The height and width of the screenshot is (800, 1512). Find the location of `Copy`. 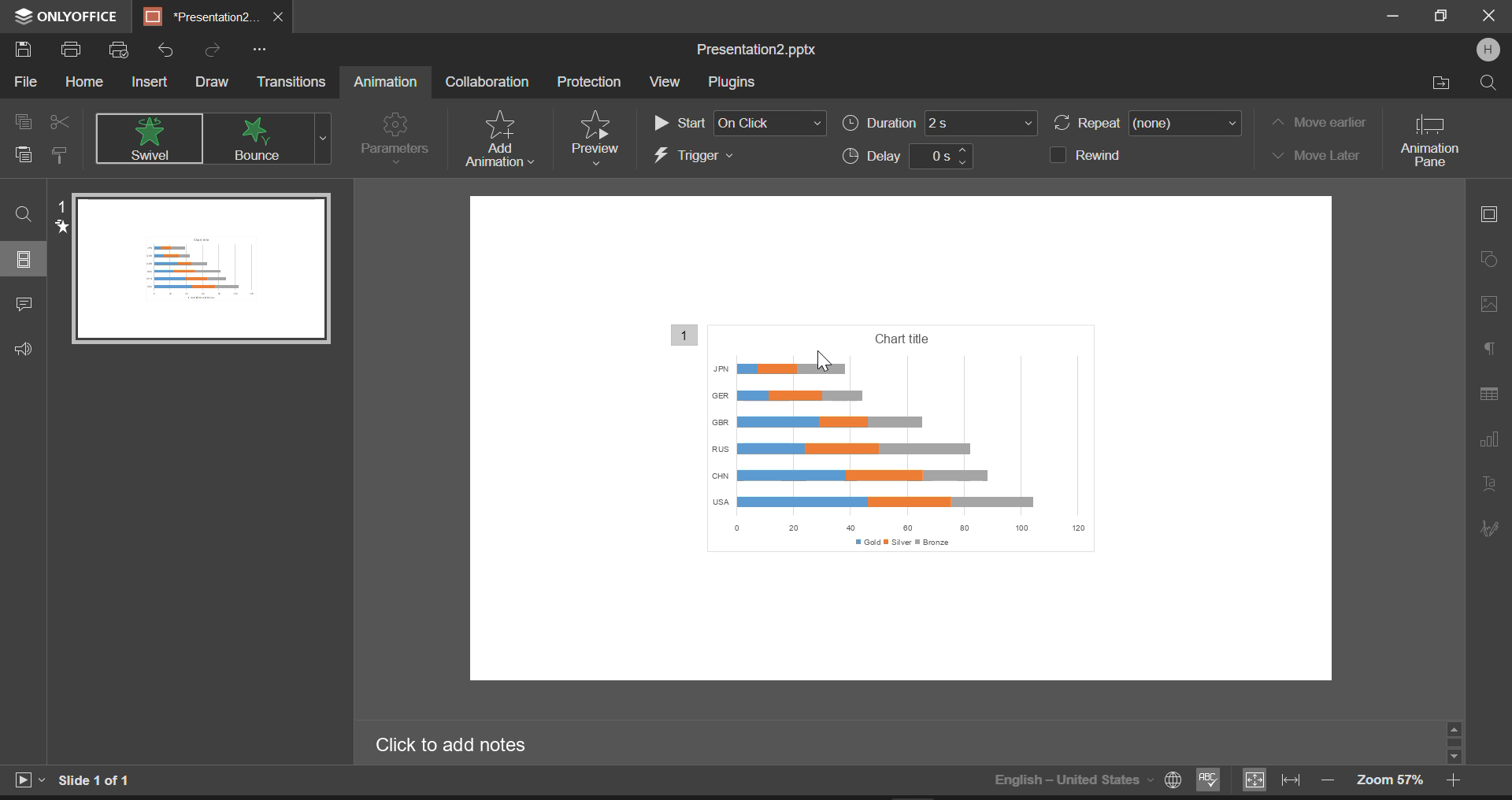

Copy is located at coordinates (24, 120).